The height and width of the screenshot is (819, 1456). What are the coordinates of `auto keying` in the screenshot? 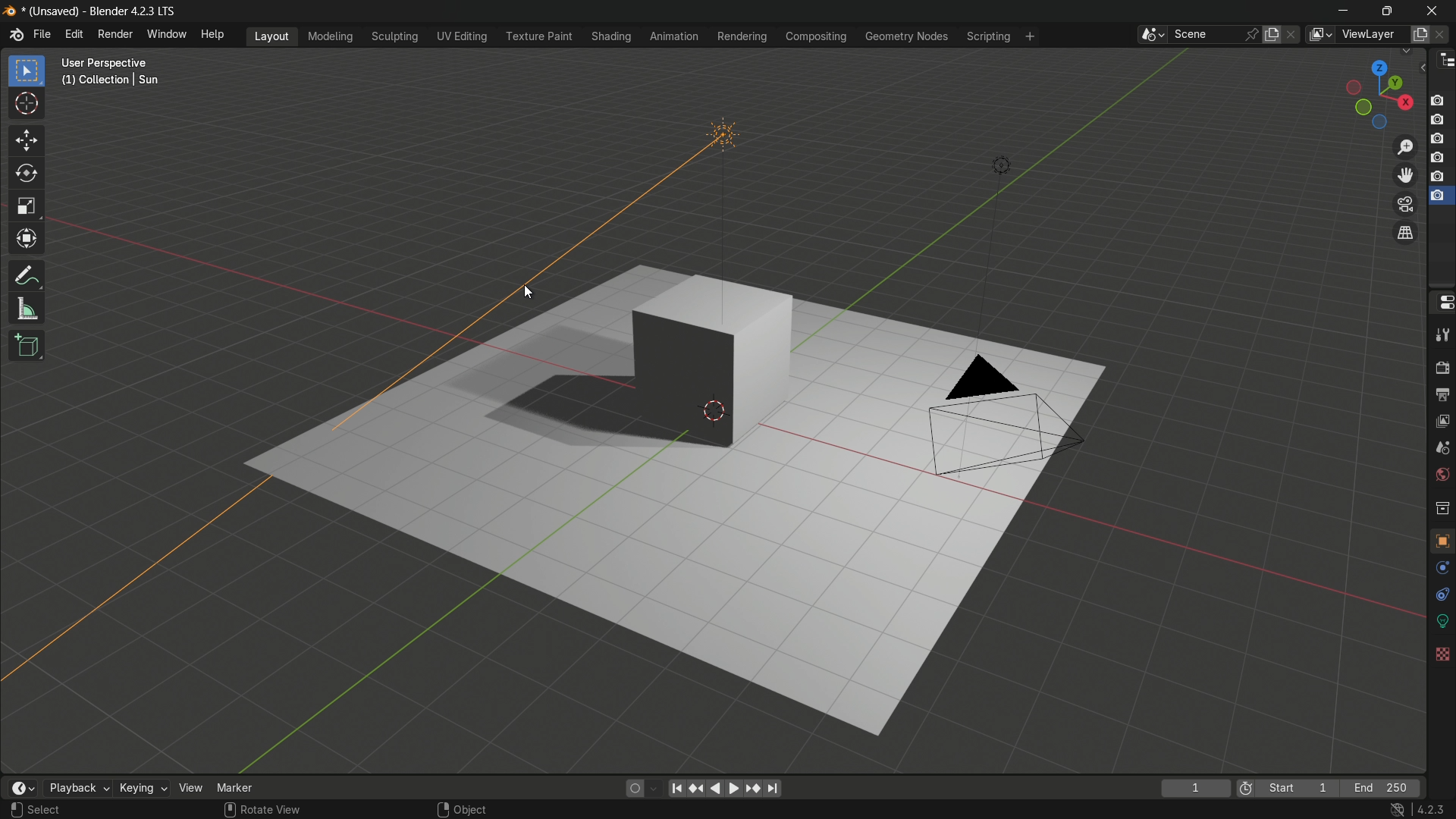 It's located at (632, 789).